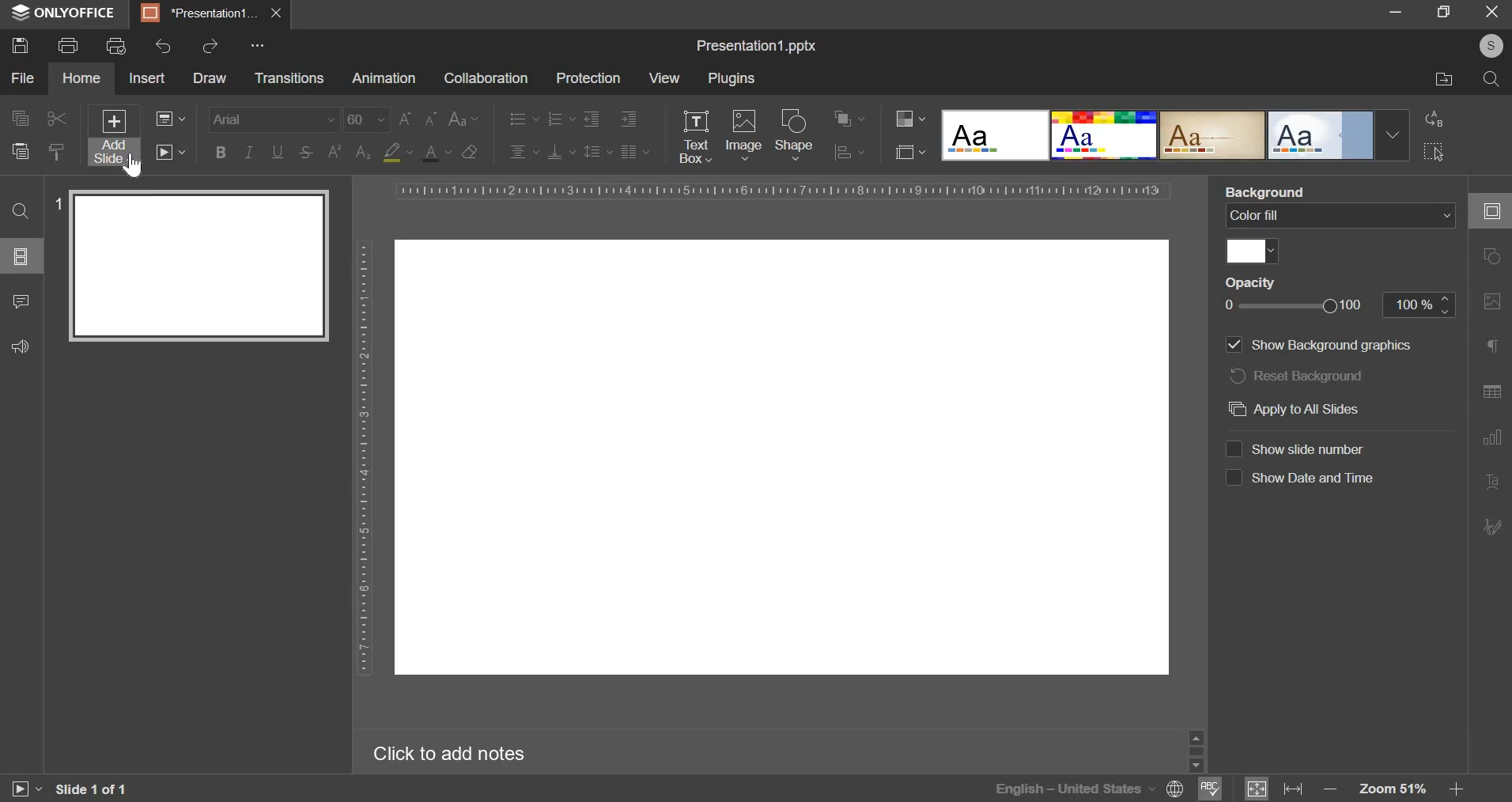  I want to click on change layout, so click(169, 118).